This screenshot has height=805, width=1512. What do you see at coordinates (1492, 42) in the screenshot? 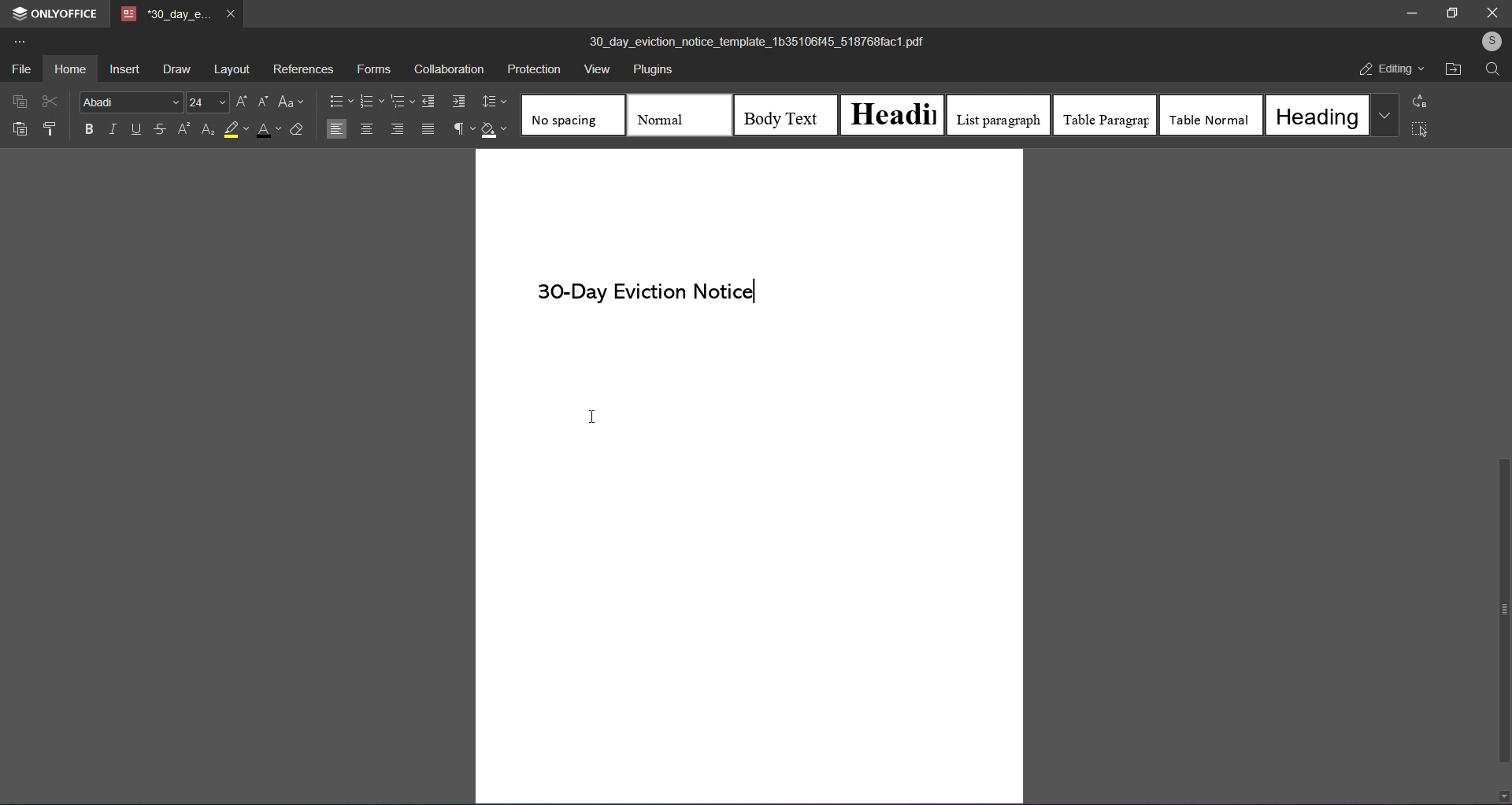
I see `user` at bounding box center [1492, 42].